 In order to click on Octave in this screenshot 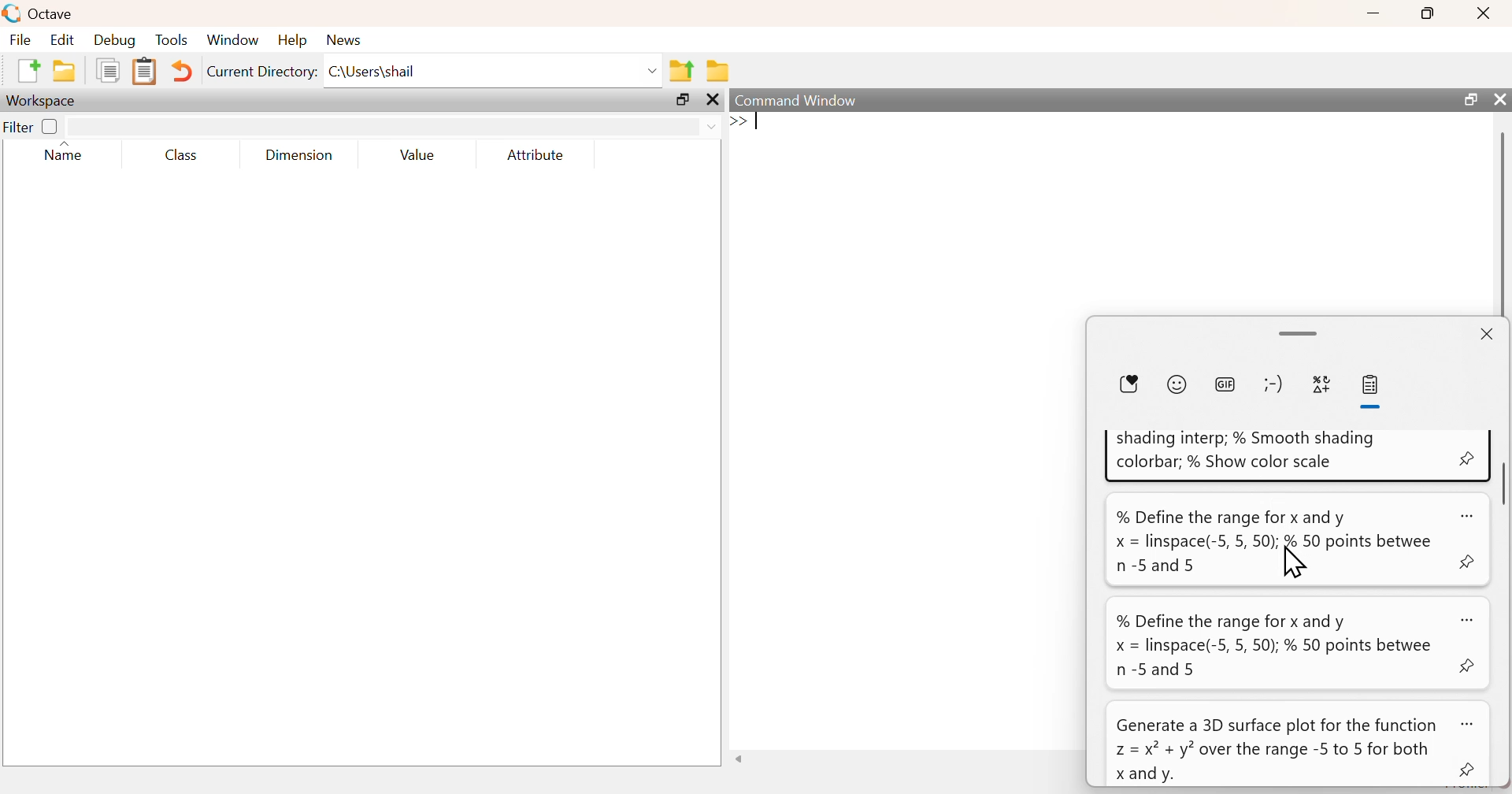, I will do `click(52, 13)`.